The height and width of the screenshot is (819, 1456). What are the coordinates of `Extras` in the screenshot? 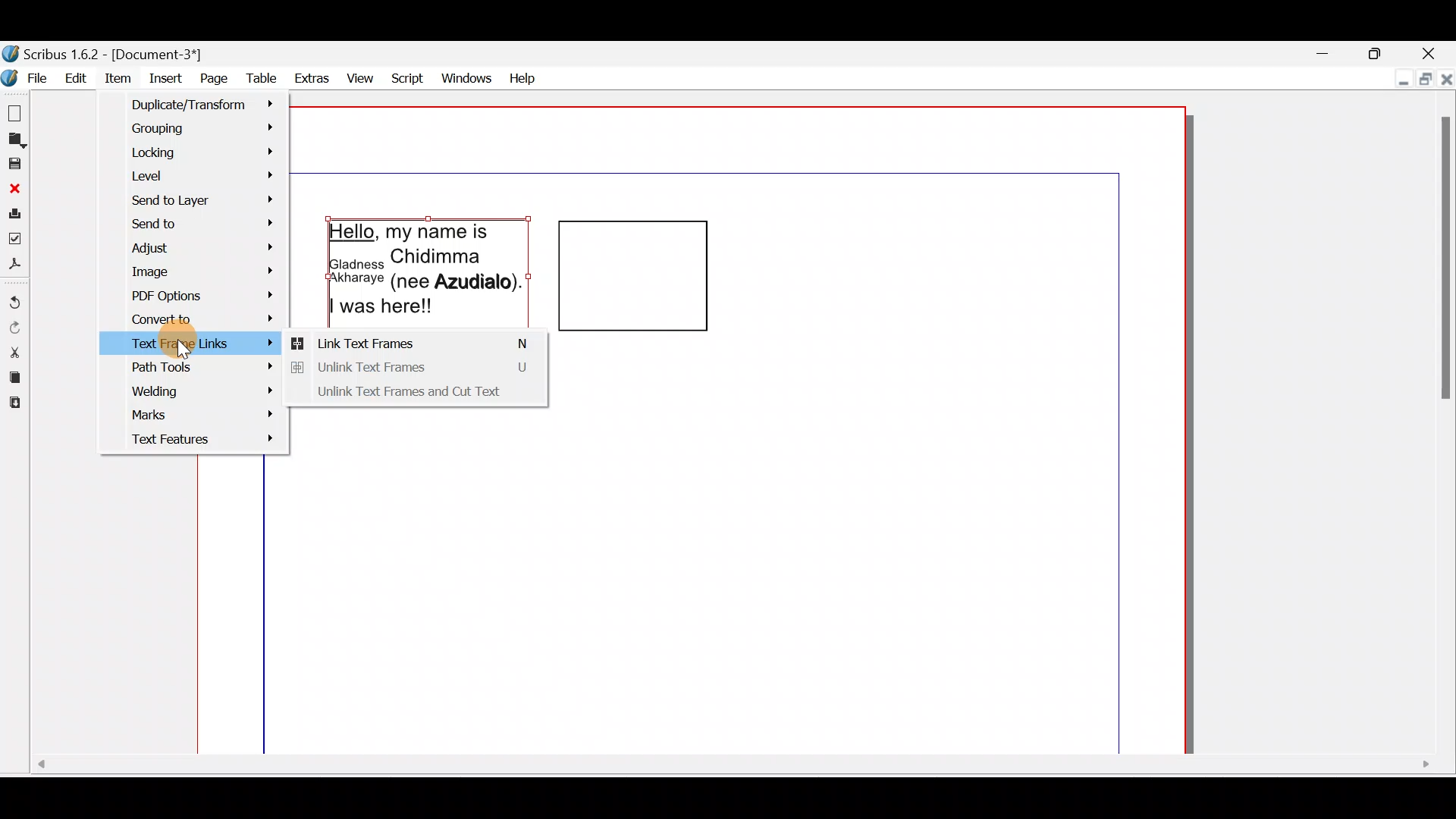 It's located at (309, 77).